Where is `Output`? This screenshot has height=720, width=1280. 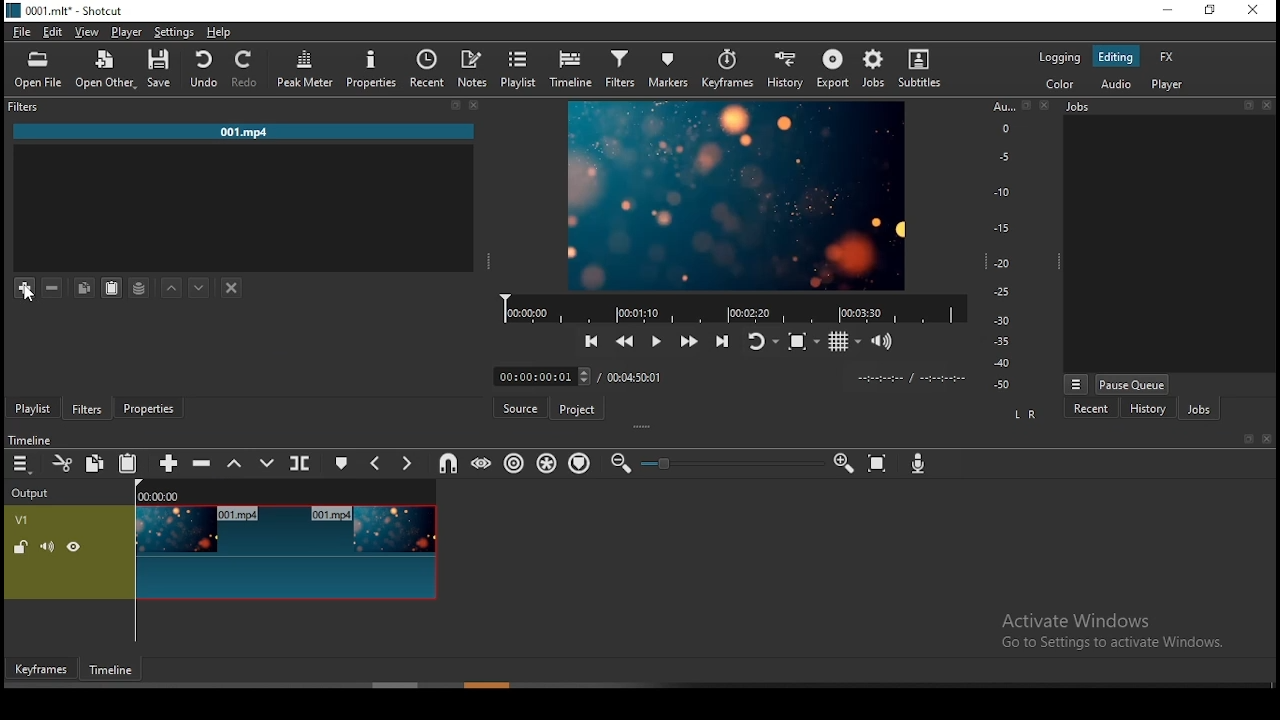
Output is located at coordinates (34, 493).